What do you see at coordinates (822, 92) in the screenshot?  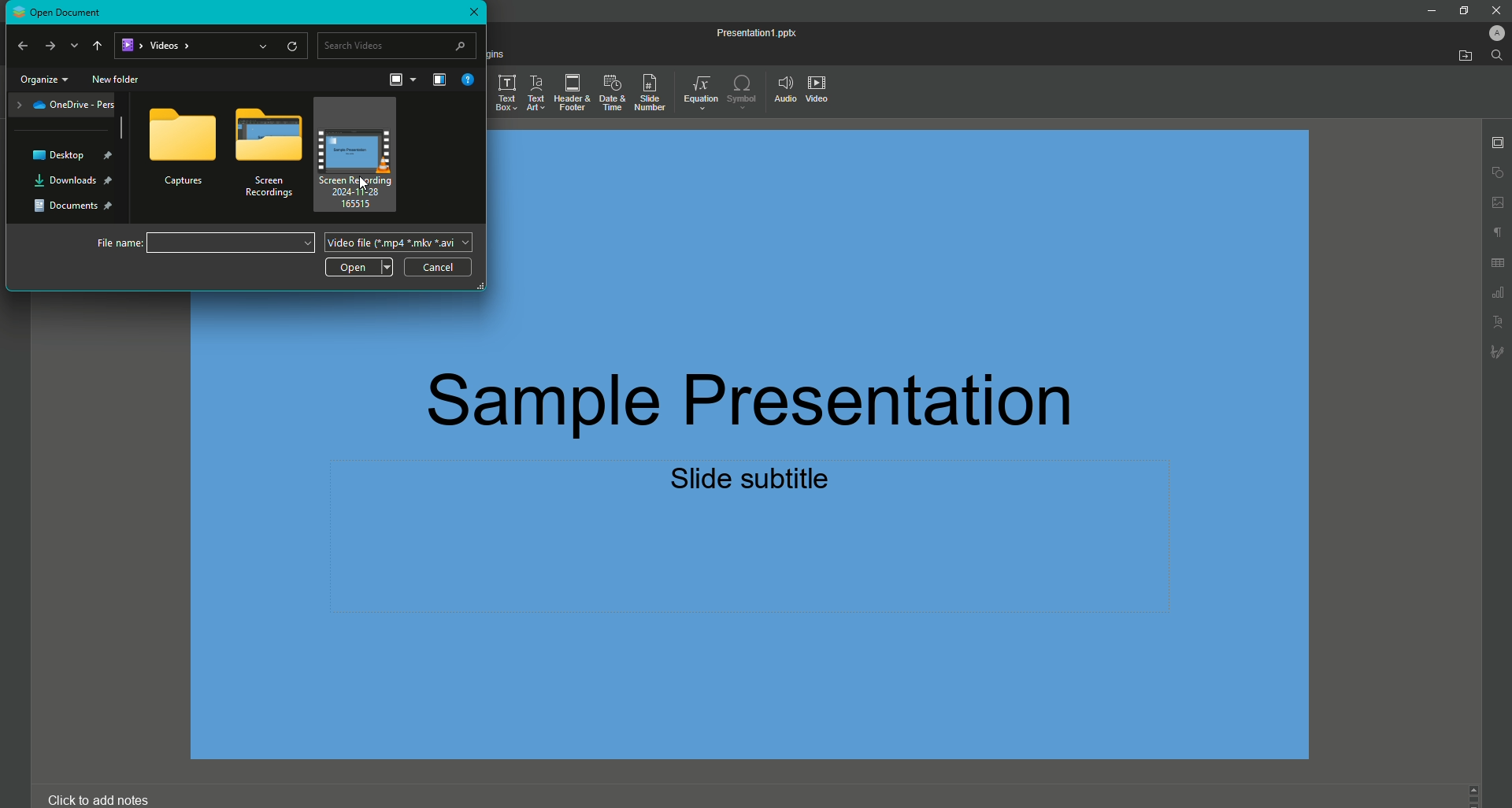 I see `Video` at bounding box center [822, 92].